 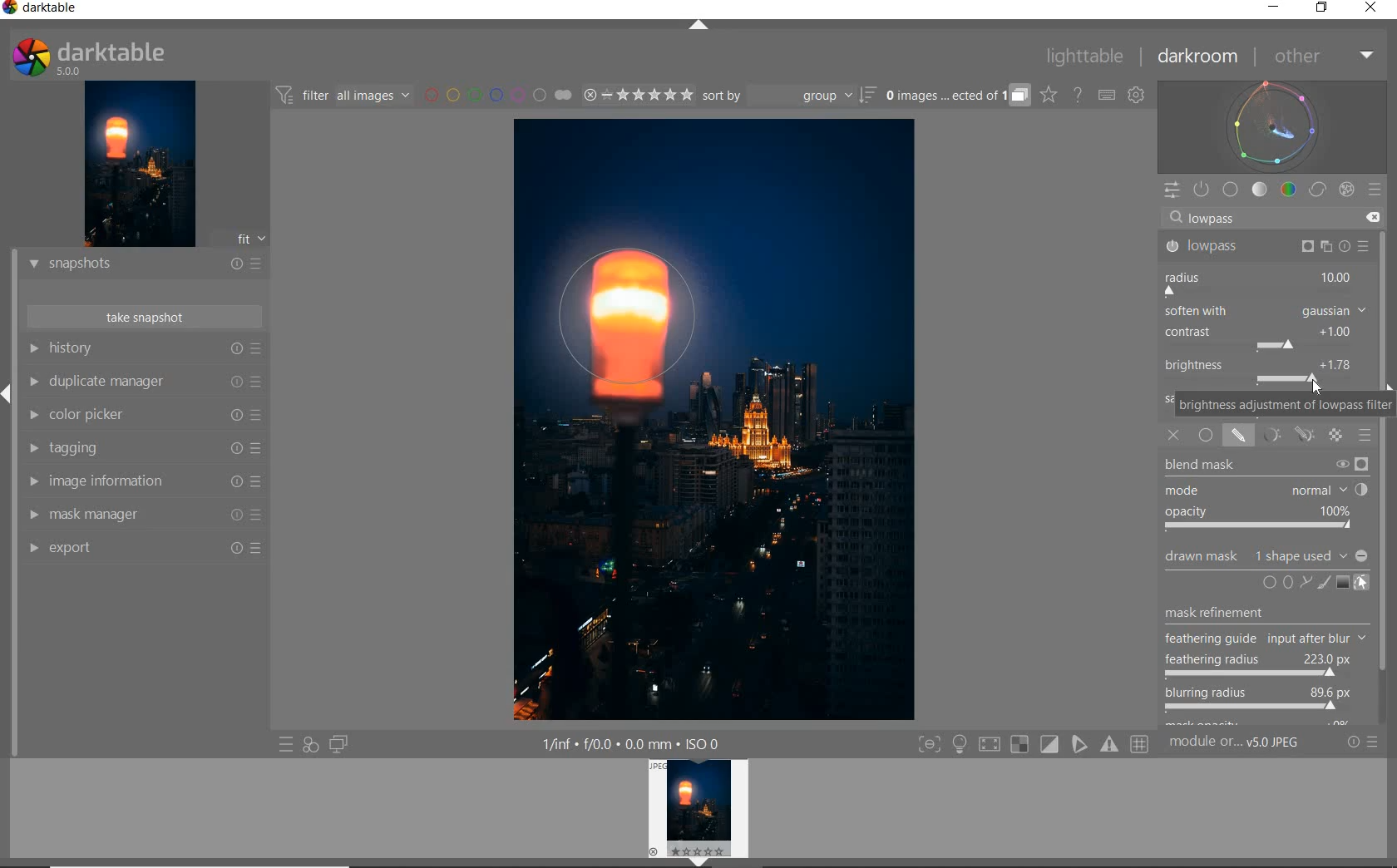 What do you see at coordinates (1264, 639) in the screenshot?
I see `` at bounding box center [1264, 639].